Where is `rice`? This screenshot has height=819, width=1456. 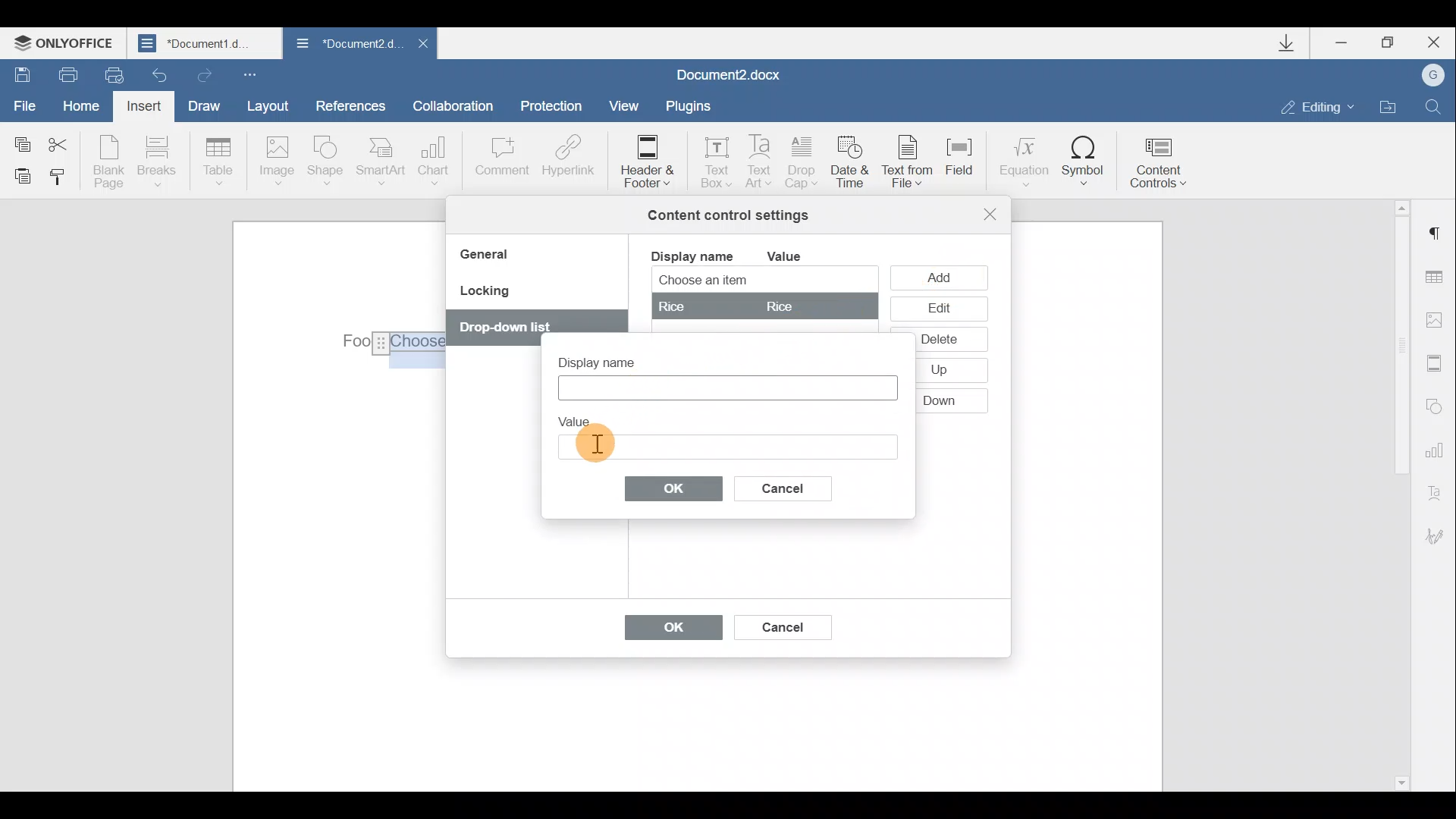
rice is located at coordinates (763, 306).